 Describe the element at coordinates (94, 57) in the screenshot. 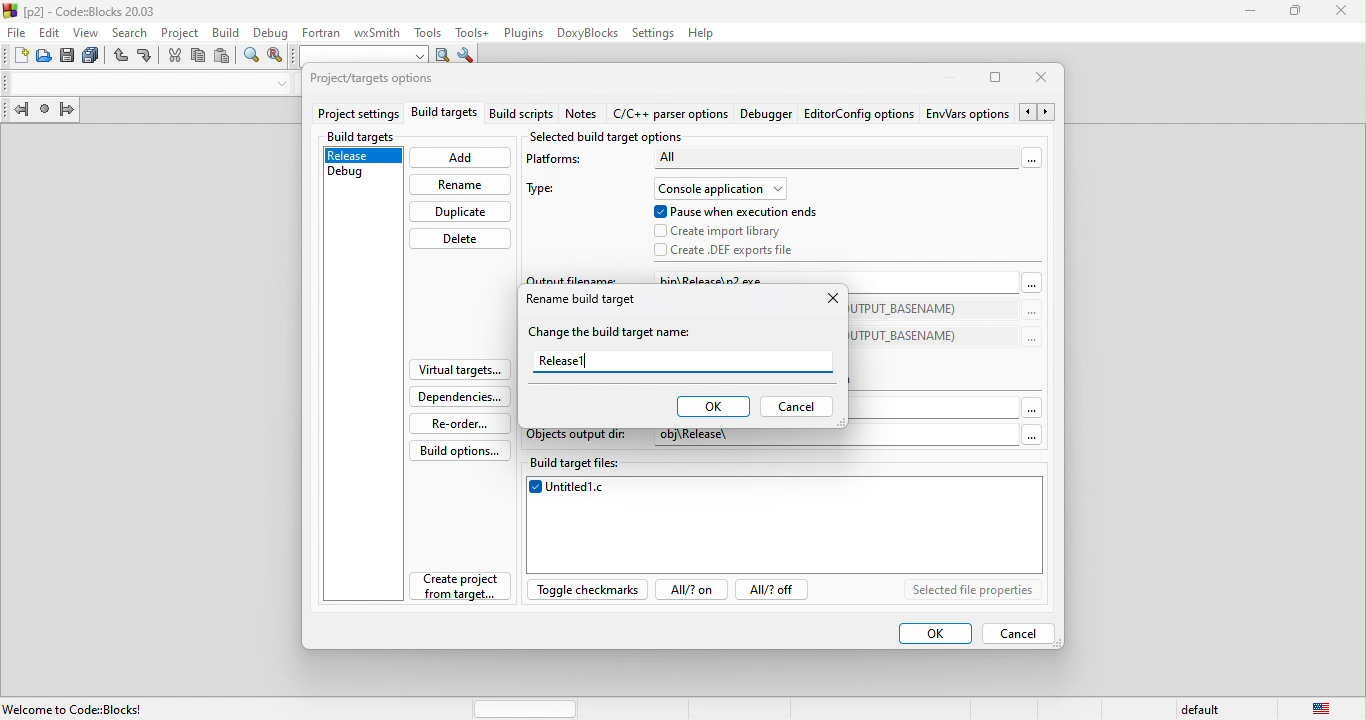

I see `save everything` at that location.